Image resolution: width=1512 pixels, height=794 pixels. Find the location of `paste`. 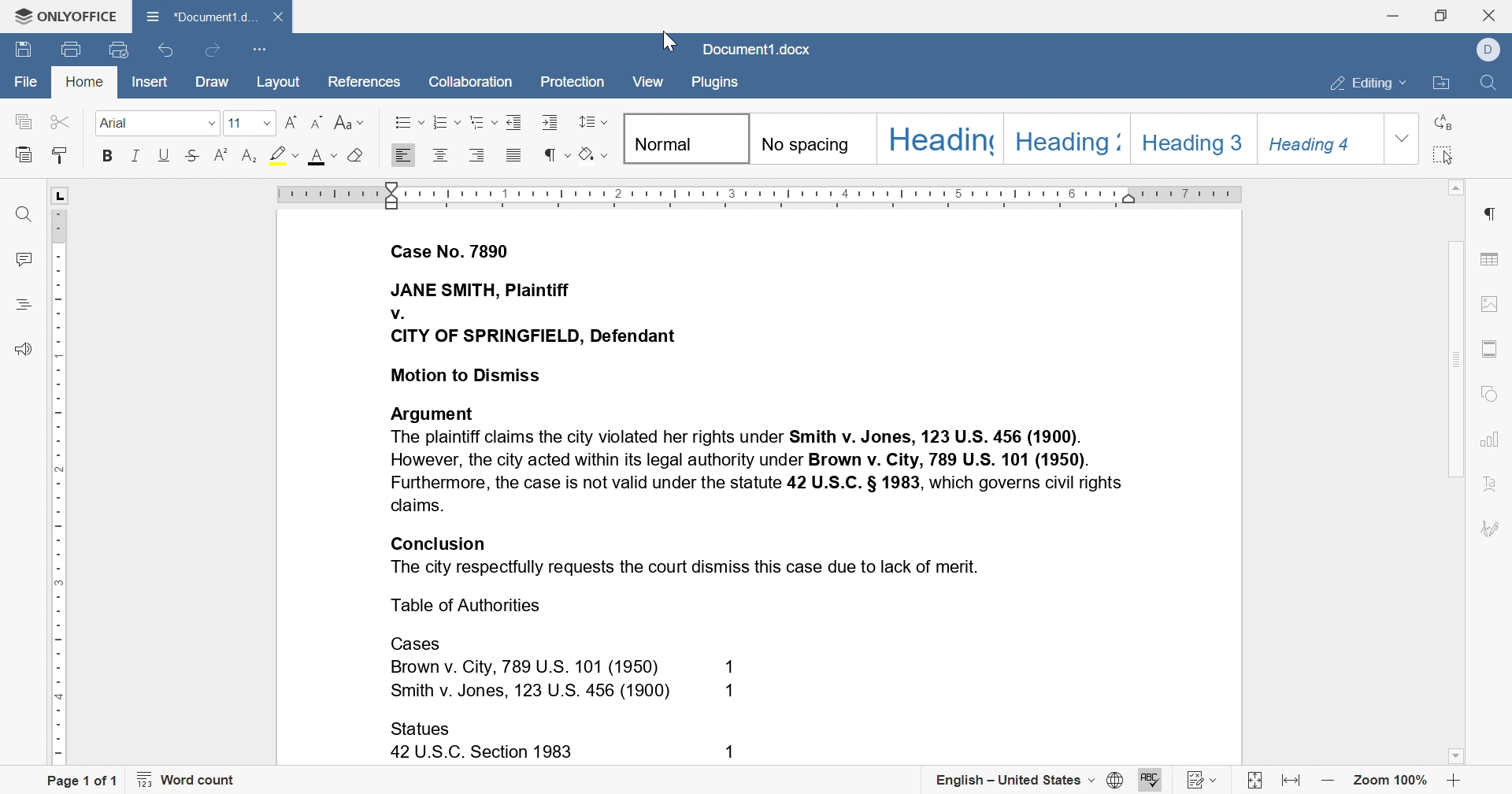

paste is located at coordinates (26, 154).